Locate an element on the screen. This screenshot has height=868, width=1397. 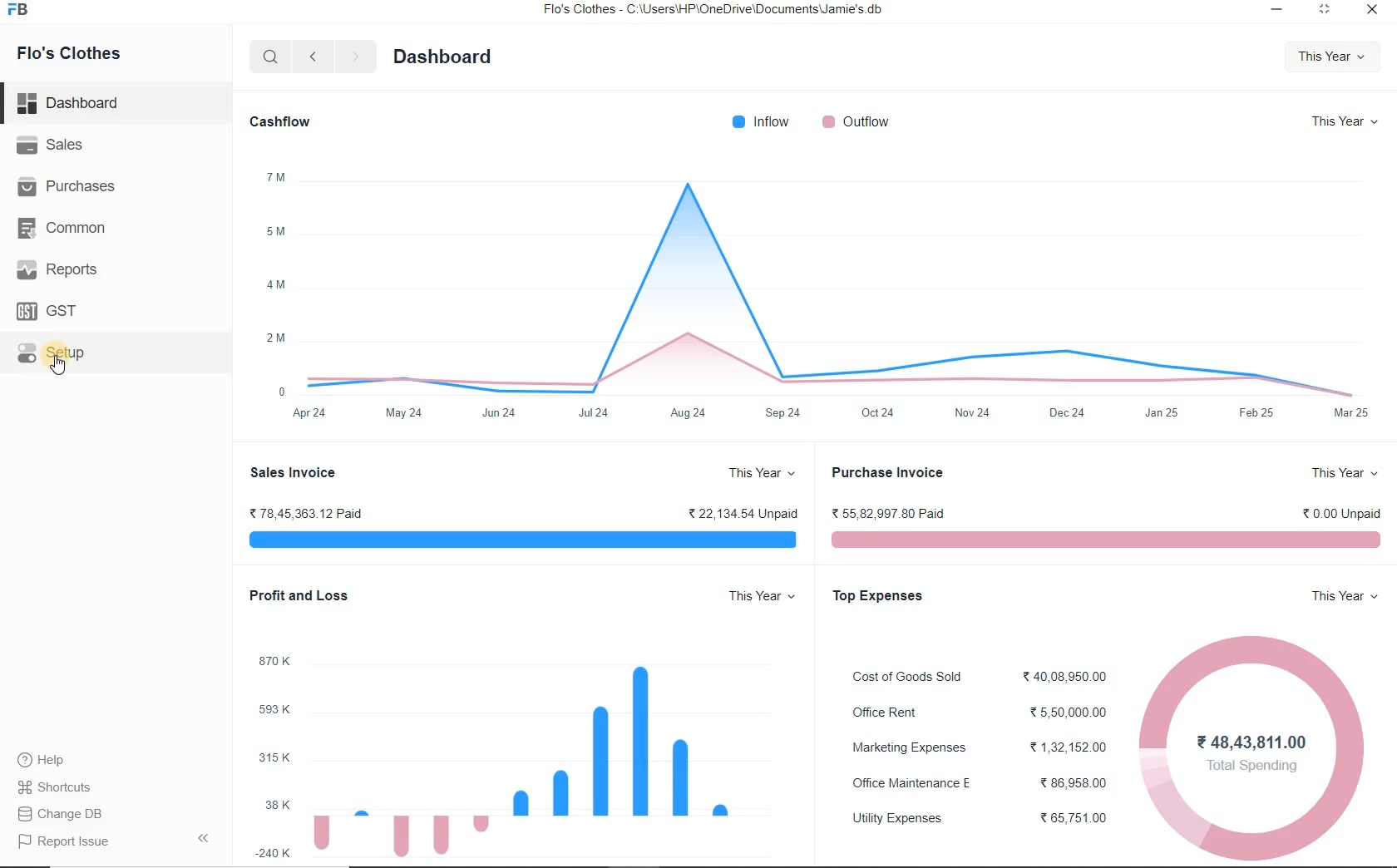
Flo's Clothes is located at coordinates (67, 55).